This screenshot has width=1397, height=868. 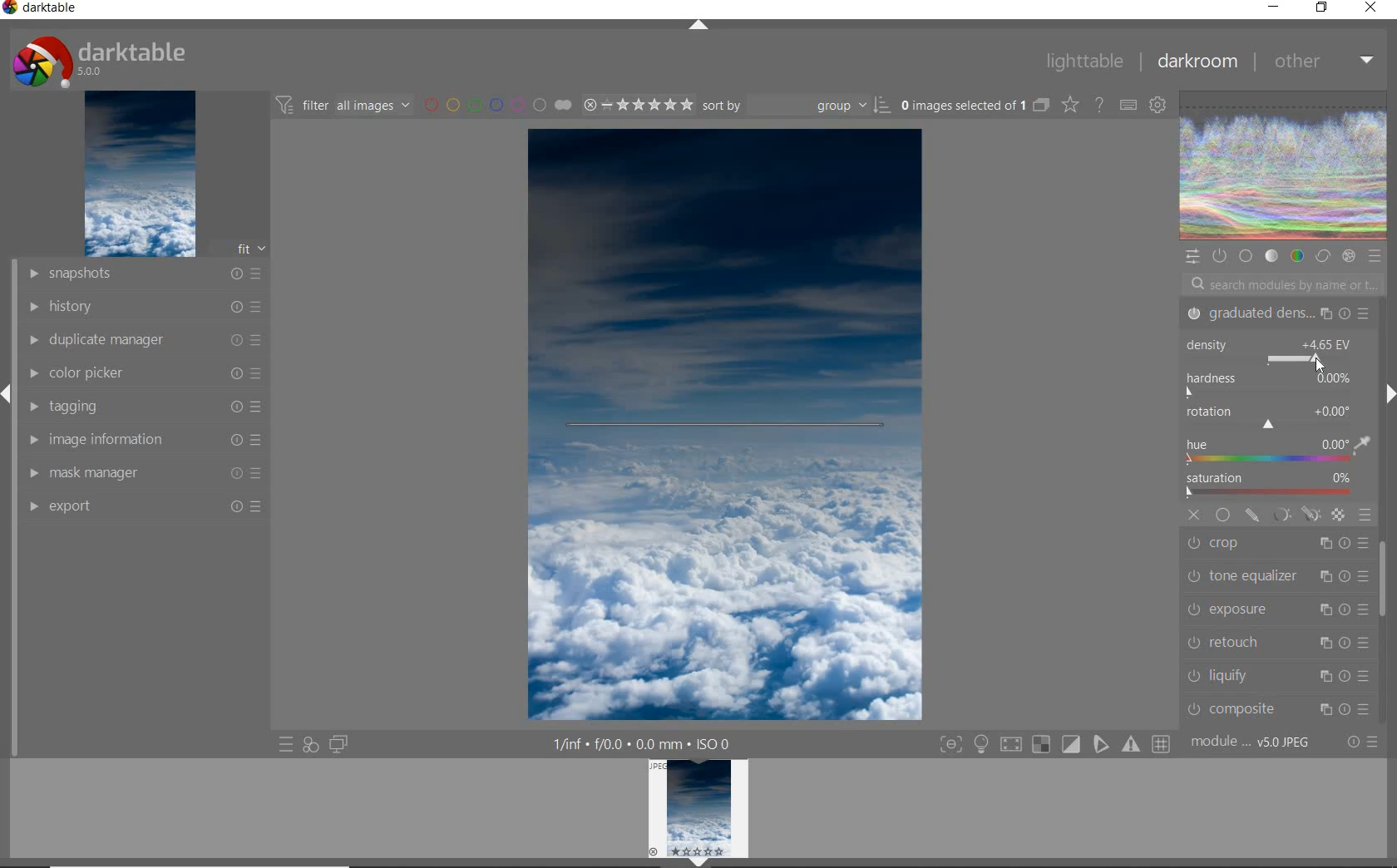 What do you see at coordinates (961, 104) in the screenshot?
I see `0 images selected of` at bounding box center [961, 104].